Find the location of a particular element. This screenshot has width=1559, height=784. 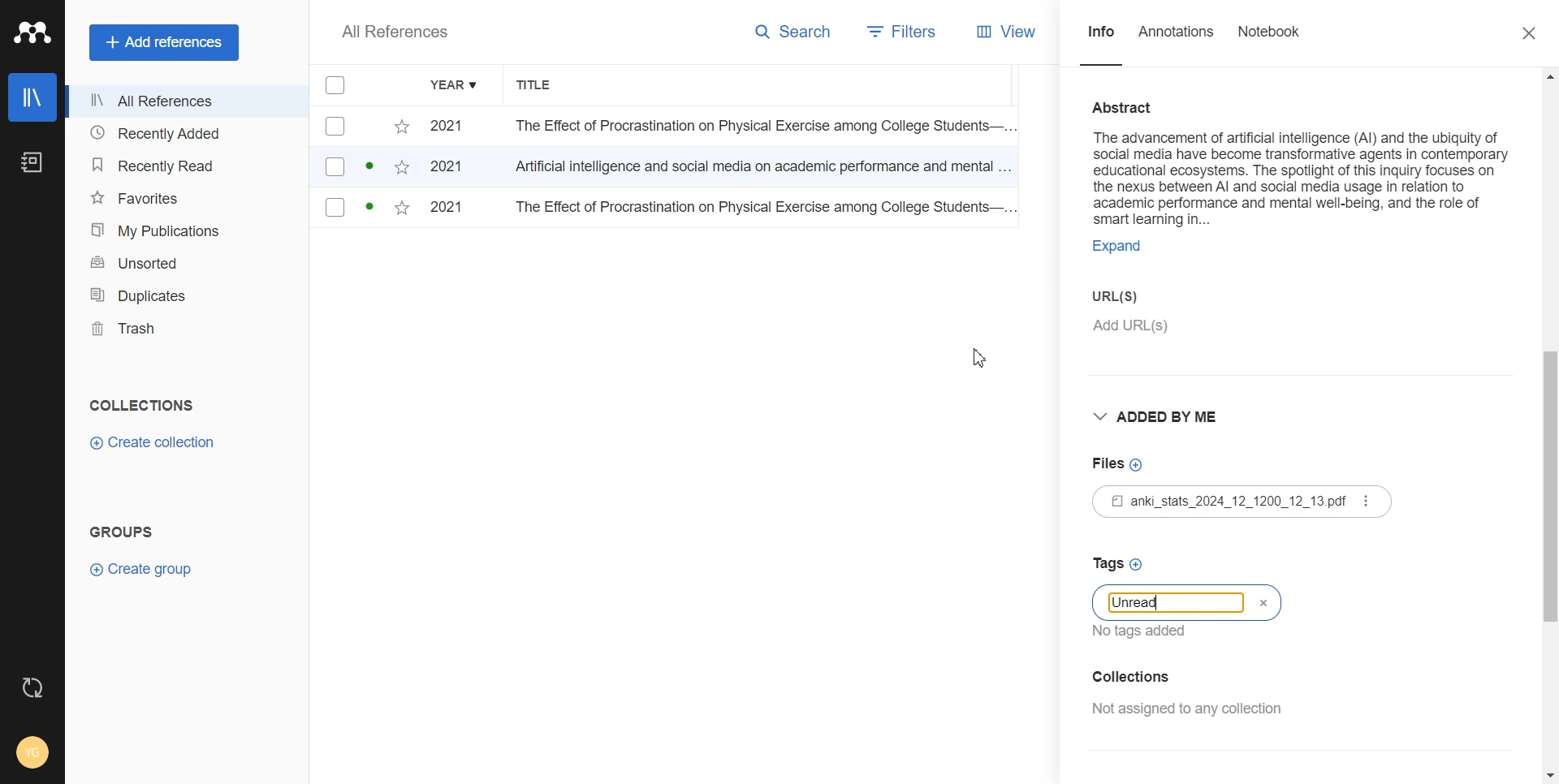

Artificial intelligence and social media on academic performance and mental... is located at coordinates (763, 170).